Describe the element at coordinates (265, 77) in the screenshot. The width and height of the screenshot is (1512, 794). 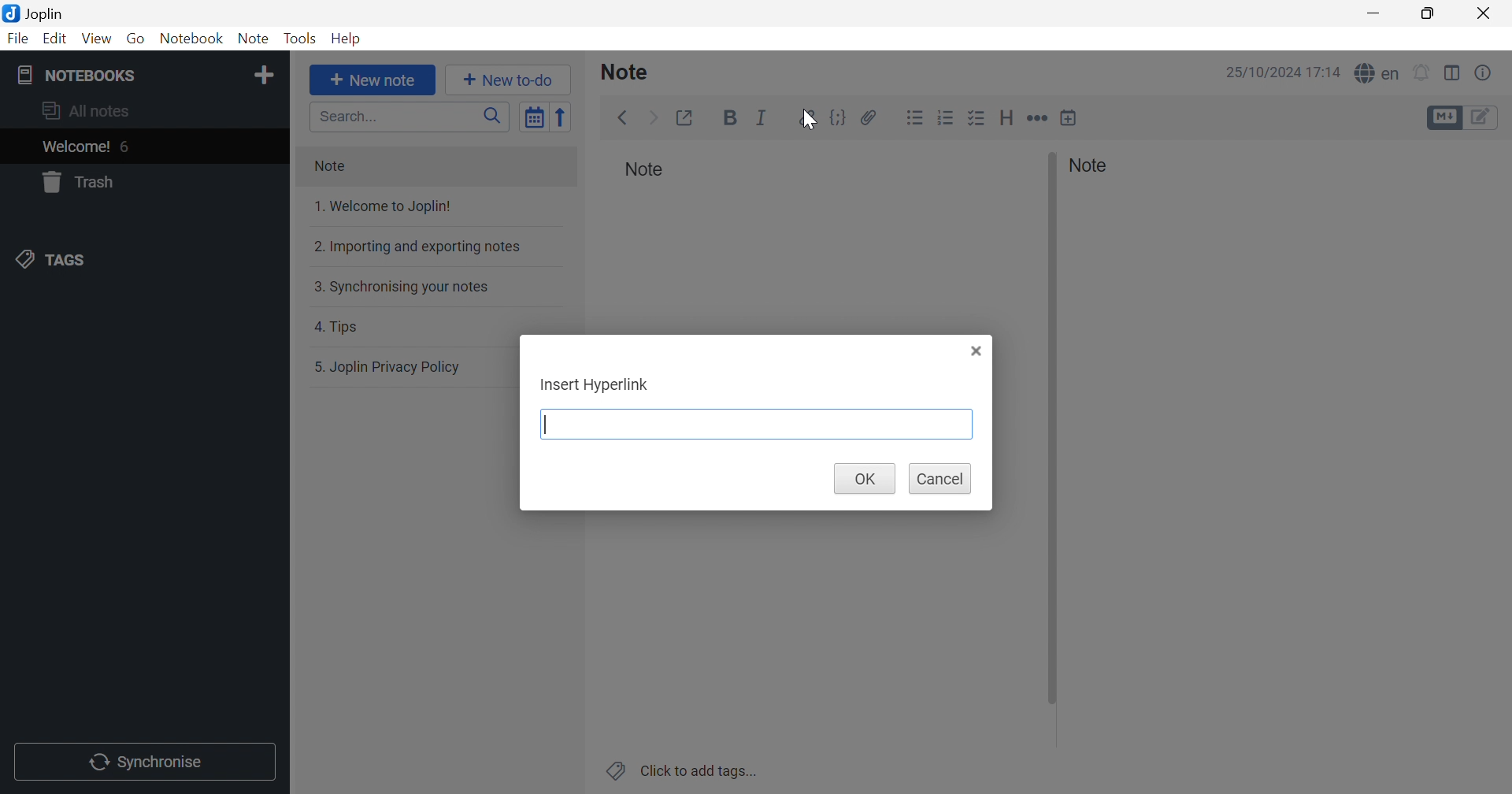
I see `Add new notebook` at that location.